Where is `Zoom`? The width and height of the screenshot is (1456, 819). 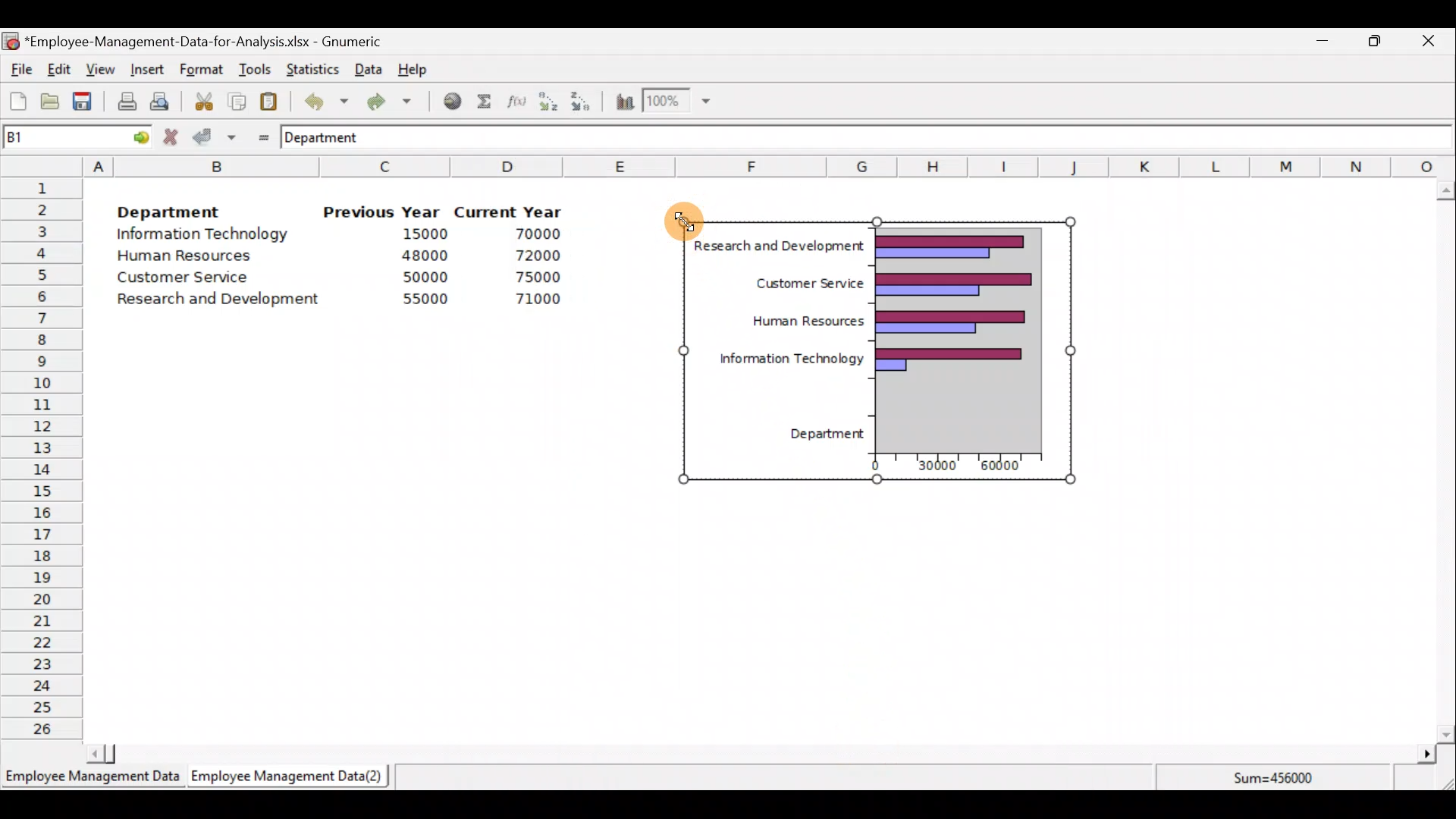 Zoom is located at coordinates (678, 101).